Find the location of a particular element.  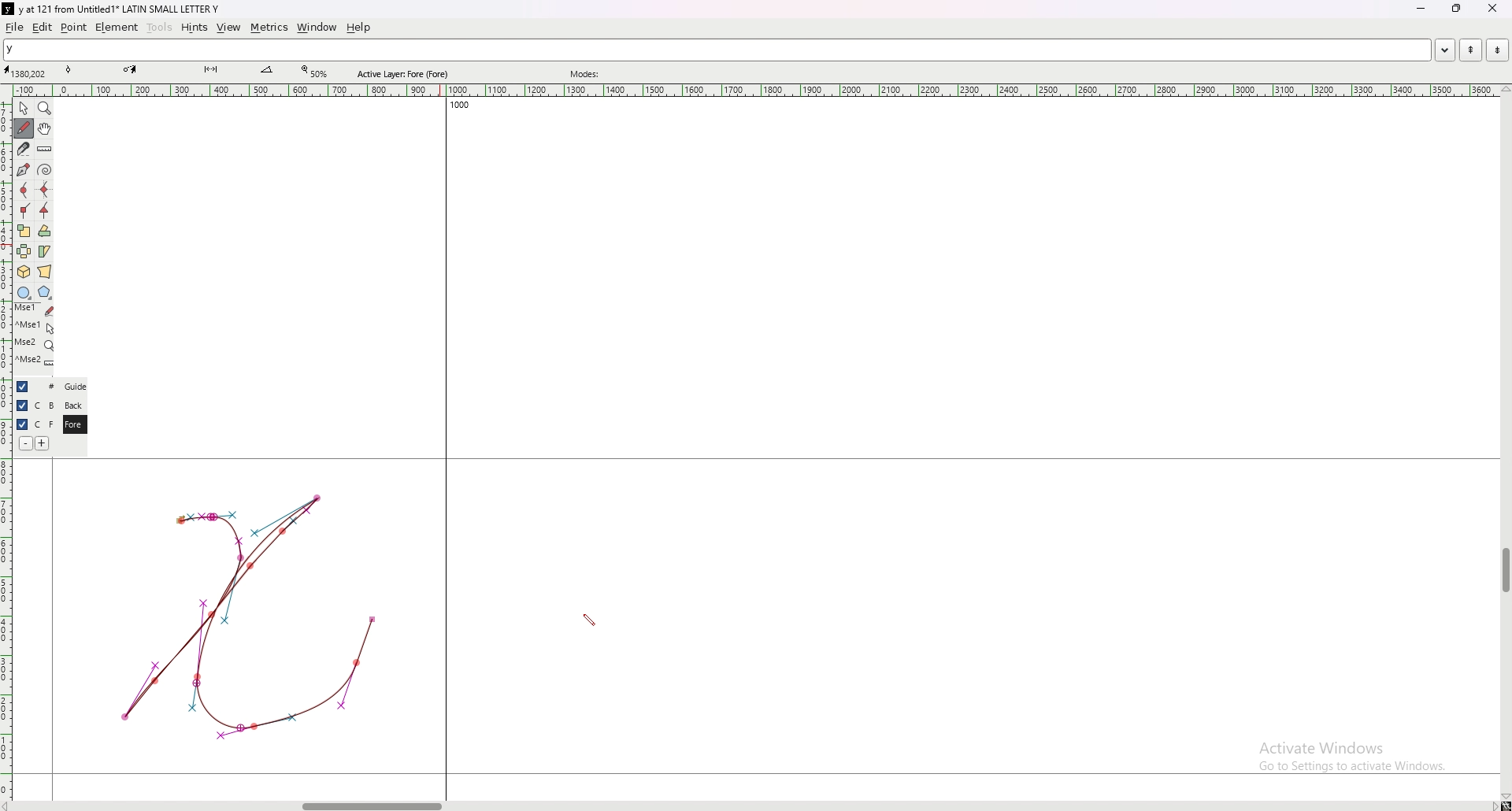

flip the selection is located at coordinates (24, 251).